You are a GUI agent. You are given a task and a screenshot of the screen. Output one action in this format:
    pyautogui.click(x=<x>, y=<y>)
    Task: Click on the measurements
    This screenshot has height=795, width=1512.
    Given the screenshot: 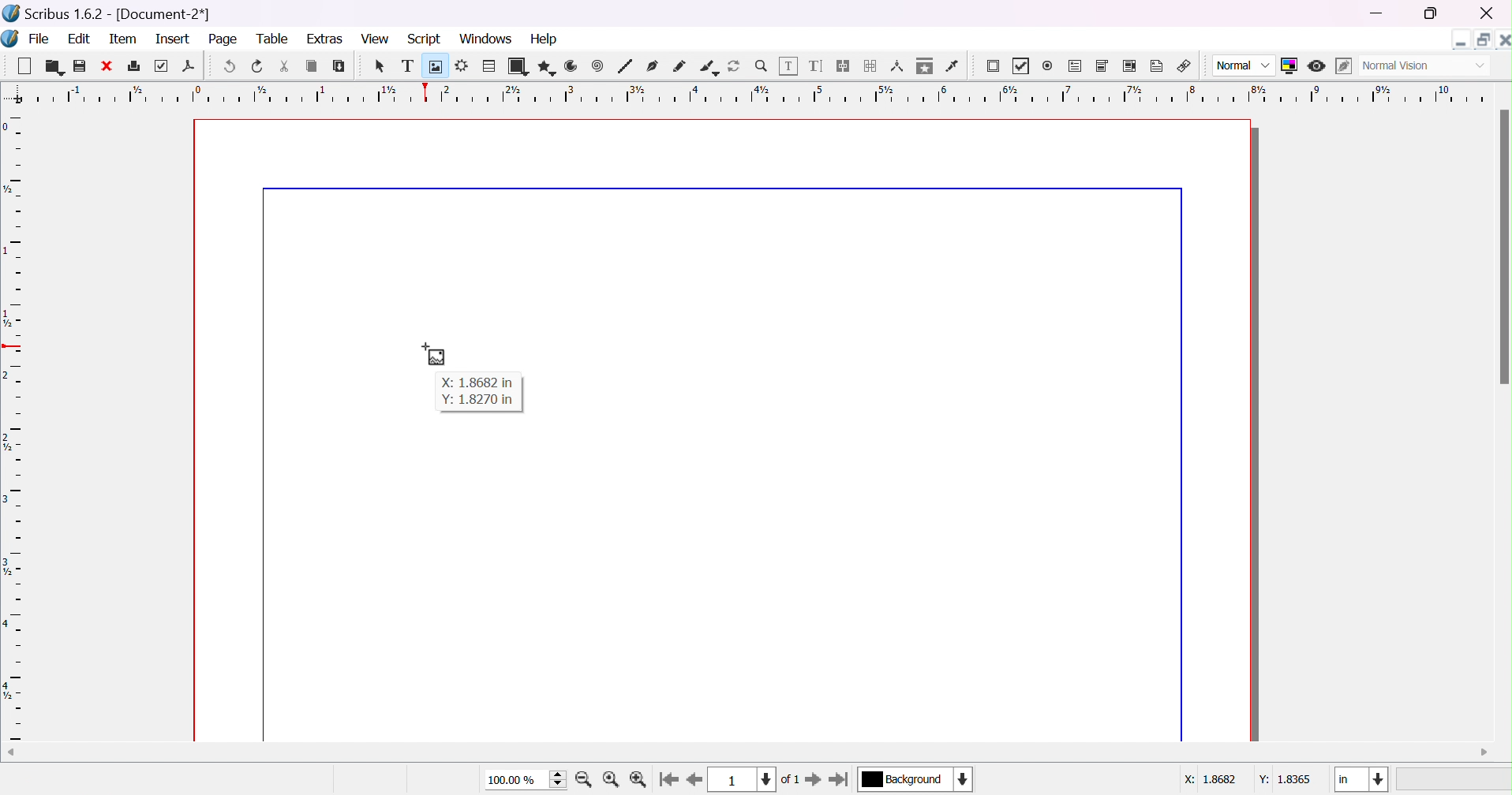 What is the action you would take?
    pyautogui.click(x=897, y=66)
    